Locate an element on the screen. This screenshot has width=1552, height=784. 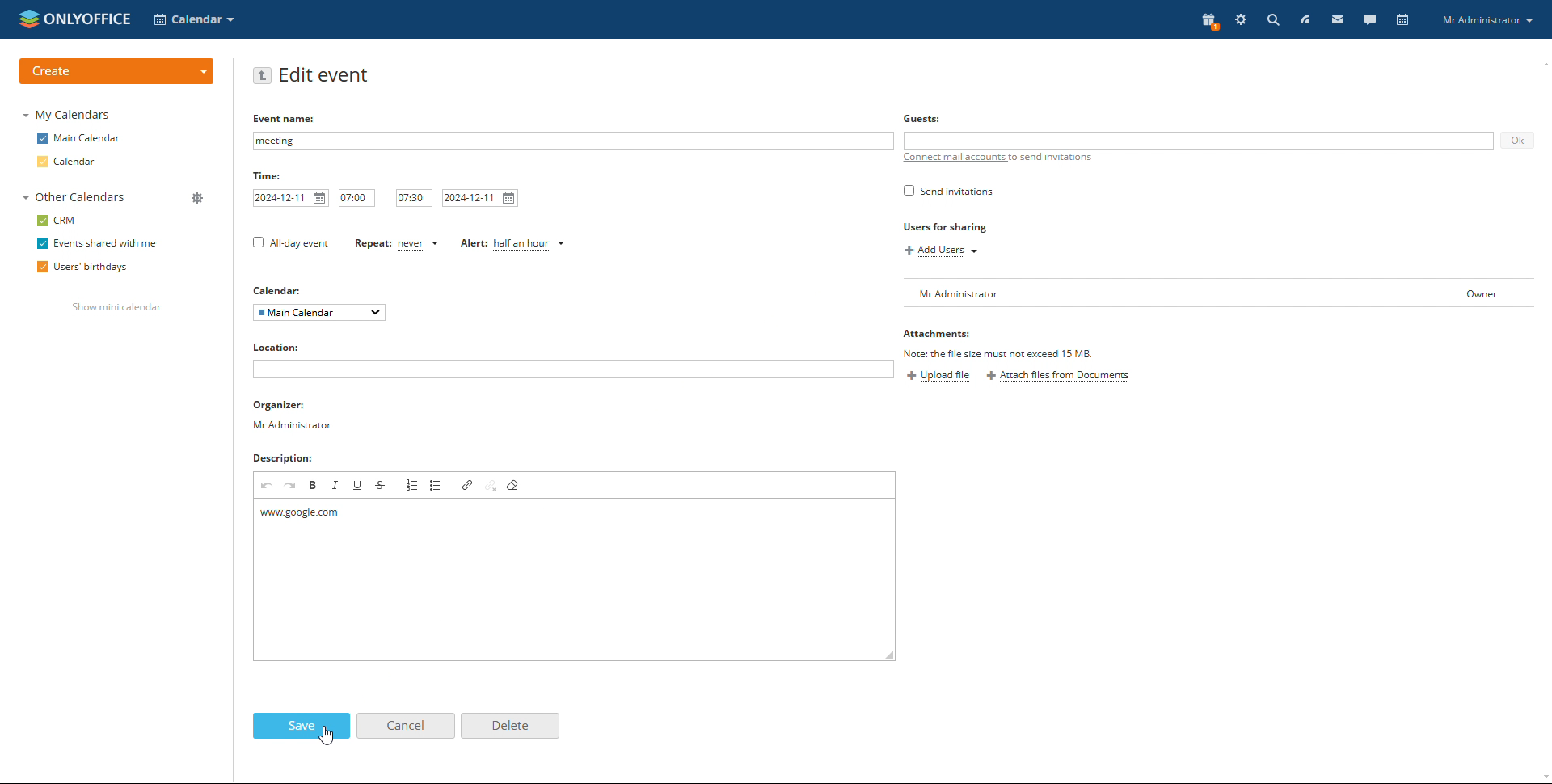
attach files from documents is located at coordinates (1057, 376).